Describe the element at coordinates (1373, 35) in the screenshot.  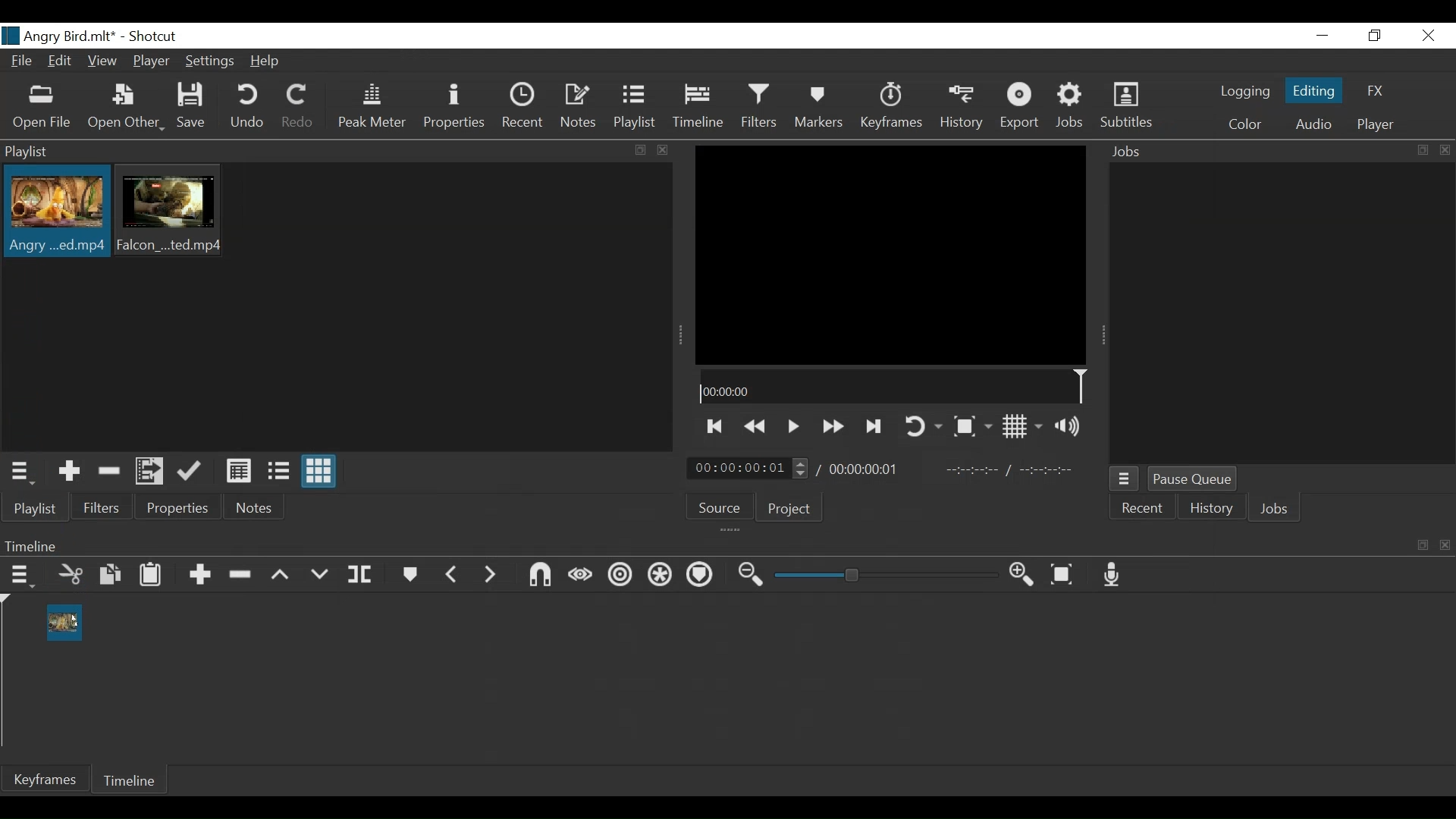
I see `Restore` at that location.